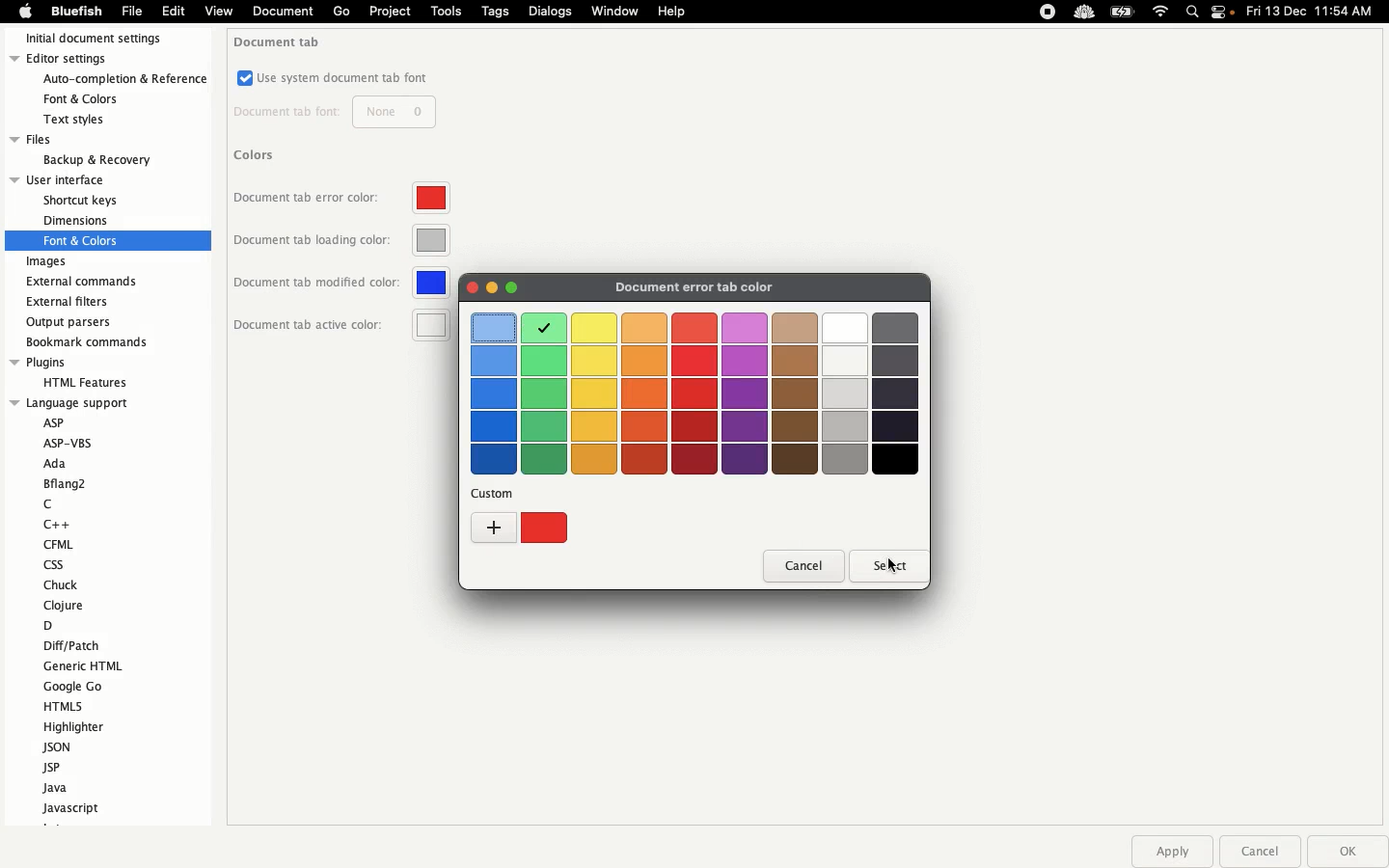  What do you see at coordinates (87, 120) in the screenshot?
I see `text styles` at bounding box center [87, 120].